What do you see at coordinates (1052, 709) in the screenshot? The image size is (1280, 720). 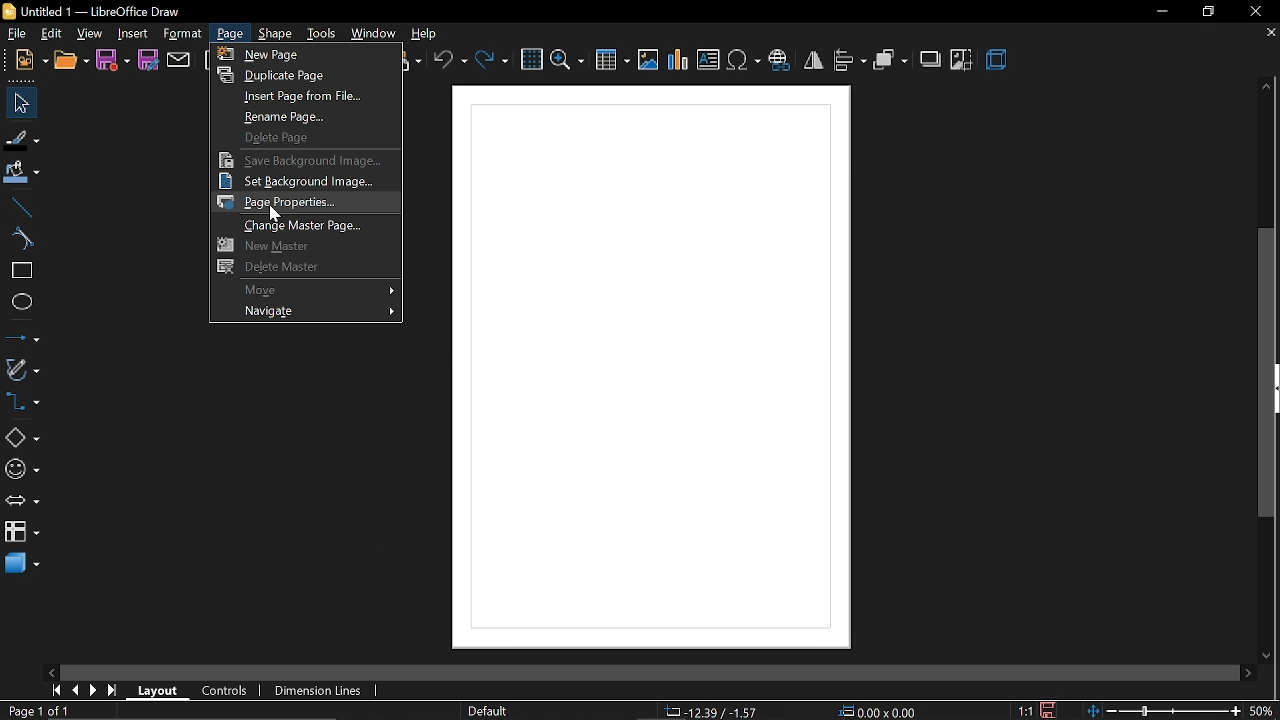 I see `save` at bounding box center [1052, 709].